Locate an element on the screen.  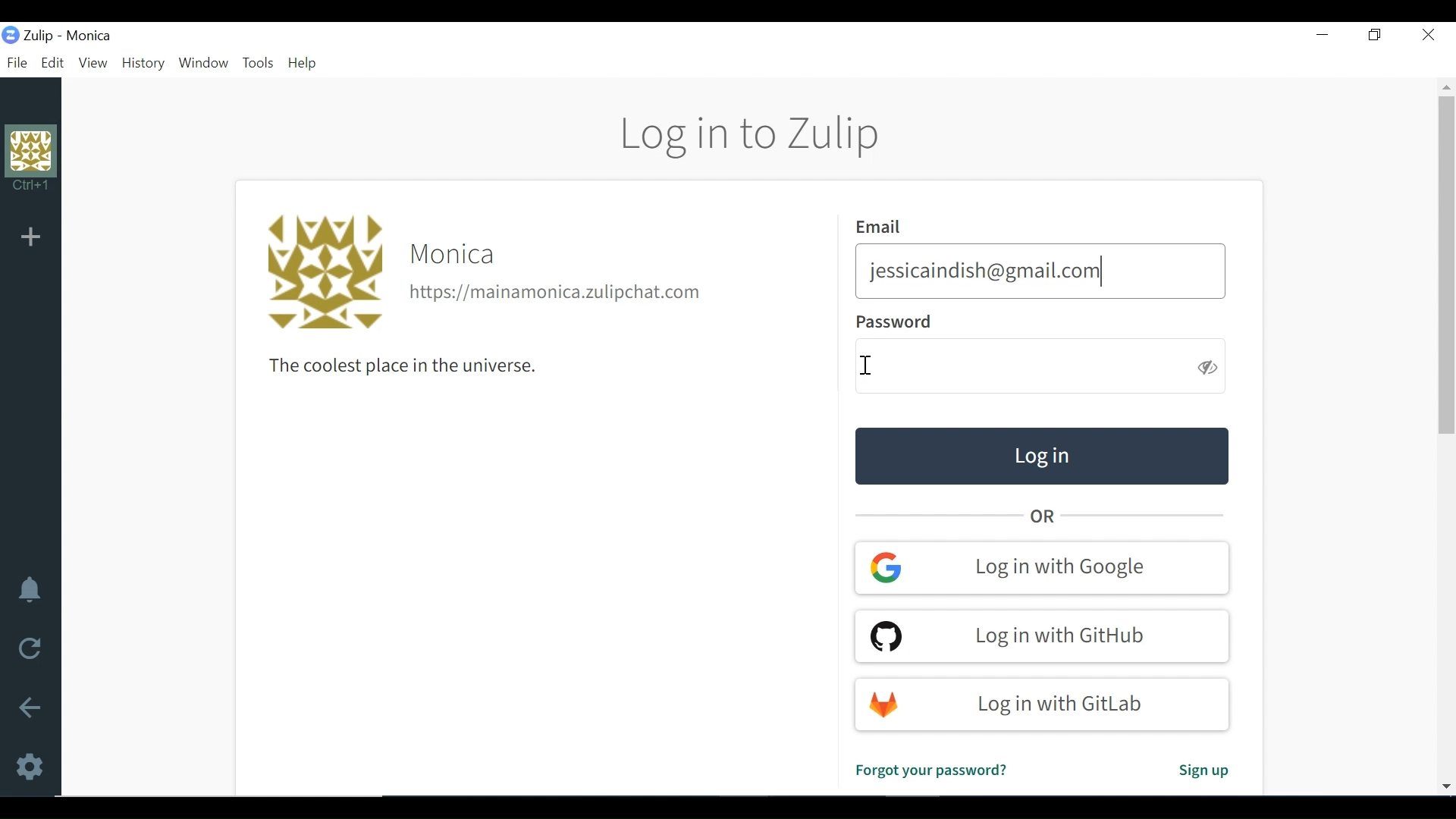
Sign up is located at coordinates (1202, 773).